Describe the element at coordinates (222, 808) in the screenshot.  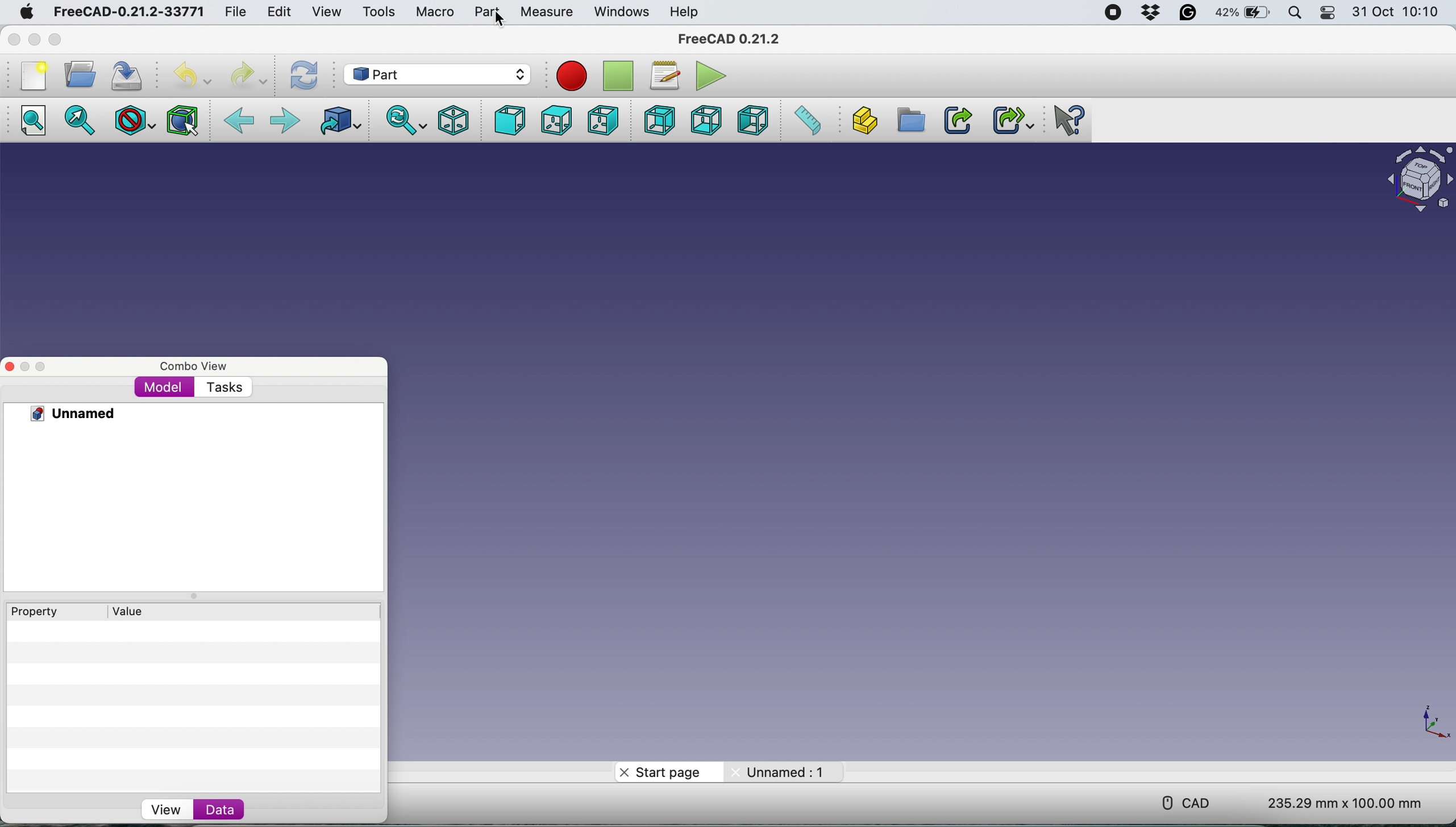
I see `Data` at that location.